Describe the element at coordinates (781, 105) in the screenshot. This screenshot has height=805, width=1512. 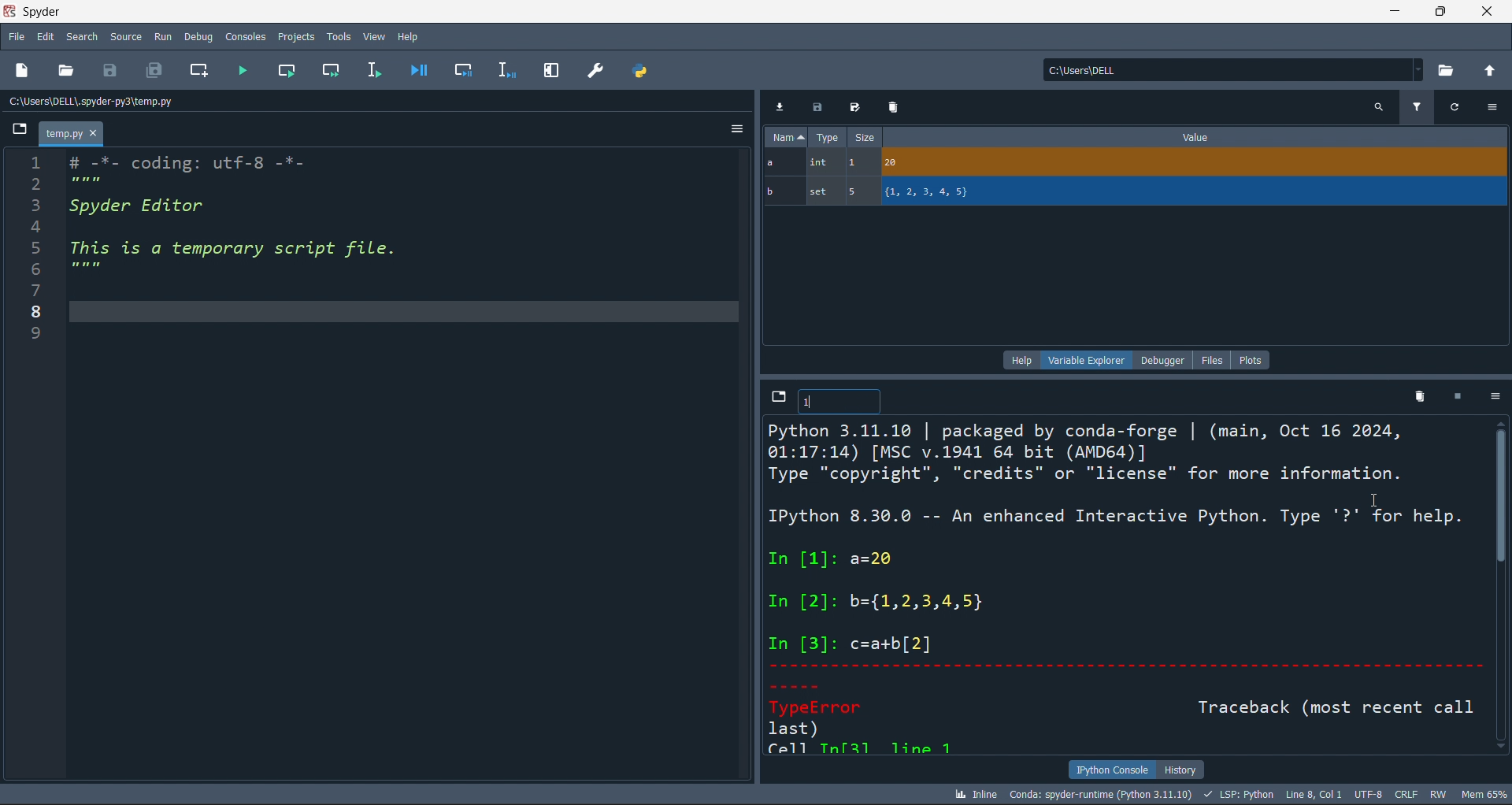
I see `import data` at that location.